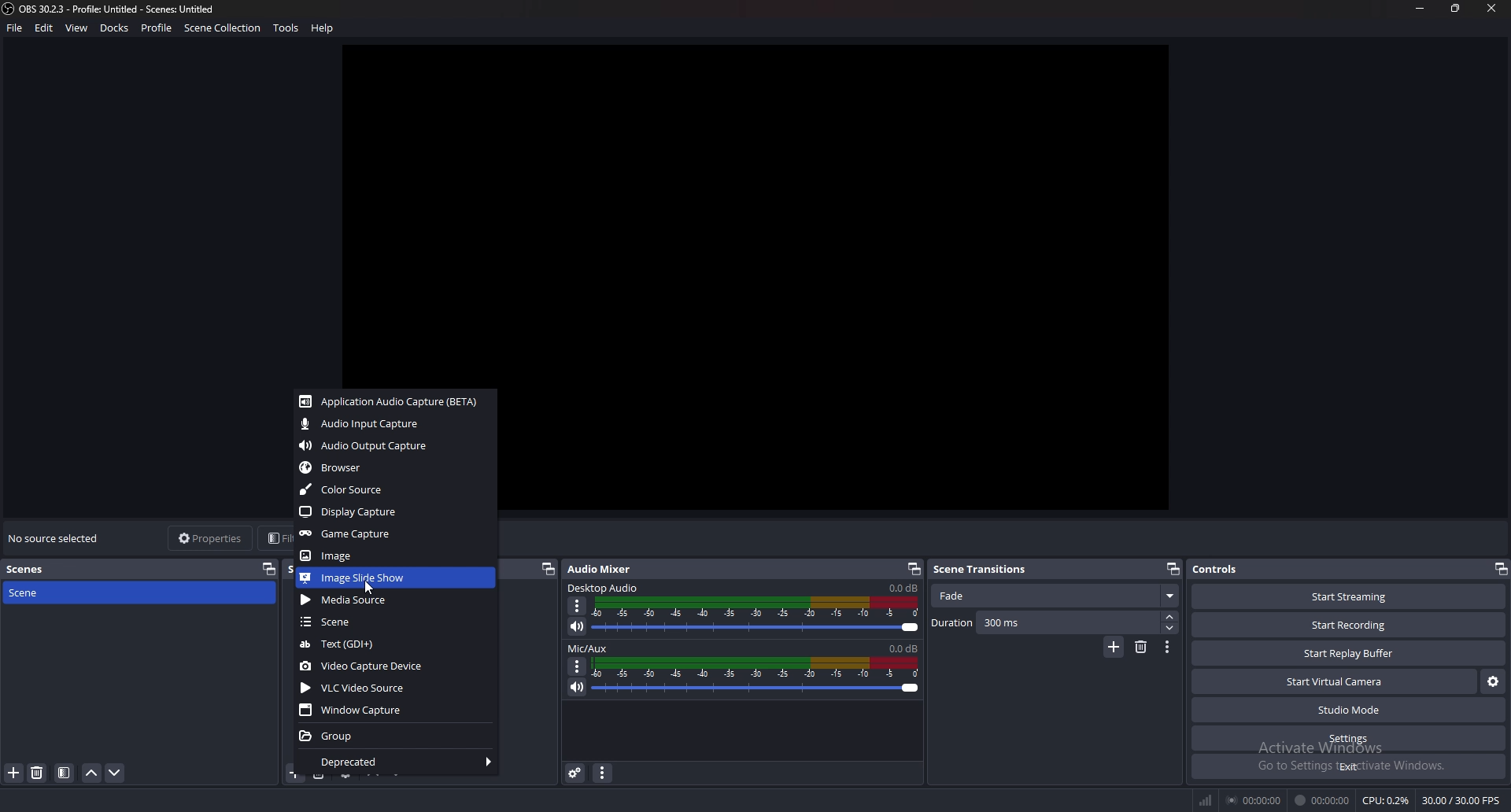  I want to click on cursor, so click(371, 588).